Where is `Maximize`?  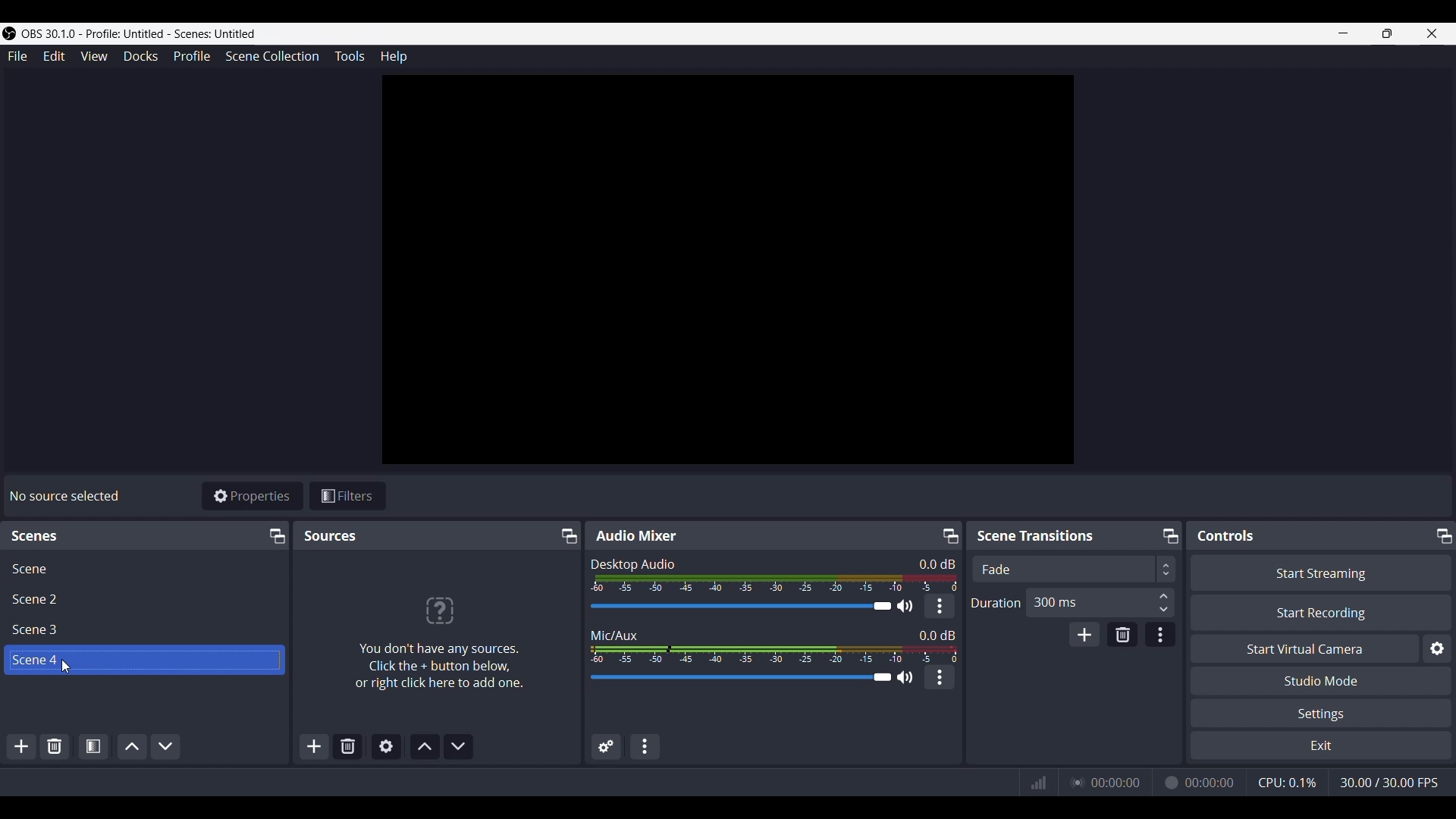
Maximize is located at coordinates (1388, 33).